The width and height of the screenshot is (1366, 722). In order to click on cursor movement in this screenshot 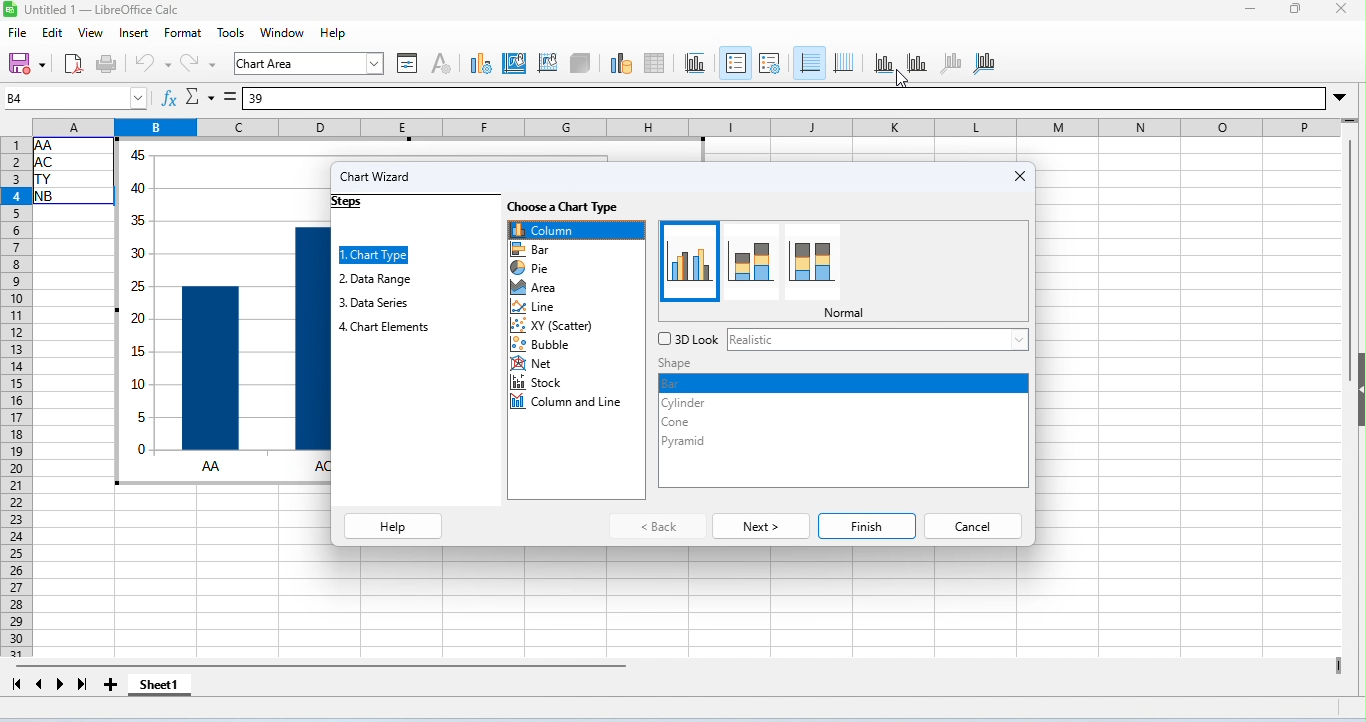, I will do `click(901, 80)`.